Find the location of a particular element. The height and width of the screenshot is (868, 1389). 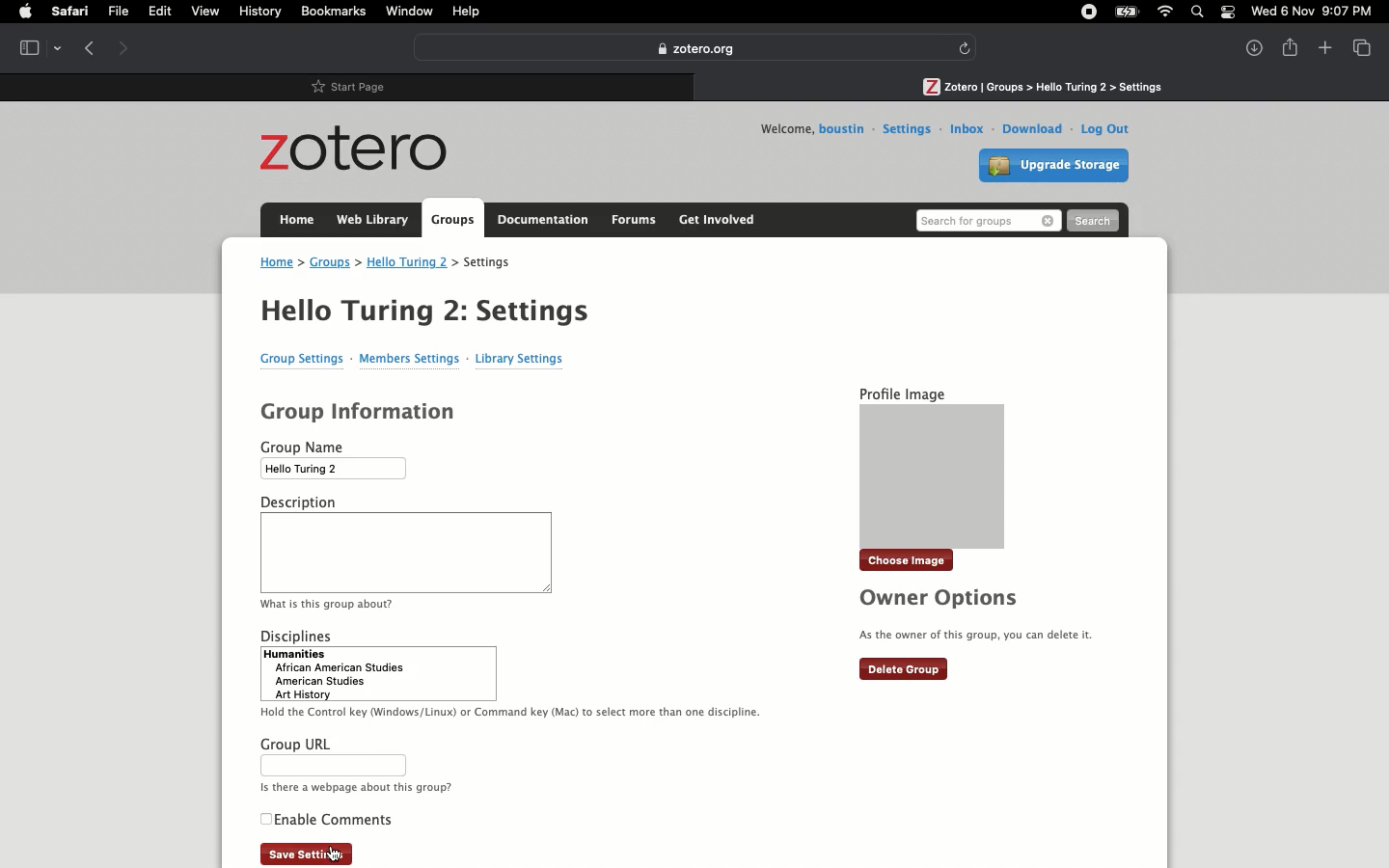

Help is located at coordinates (467, 12).